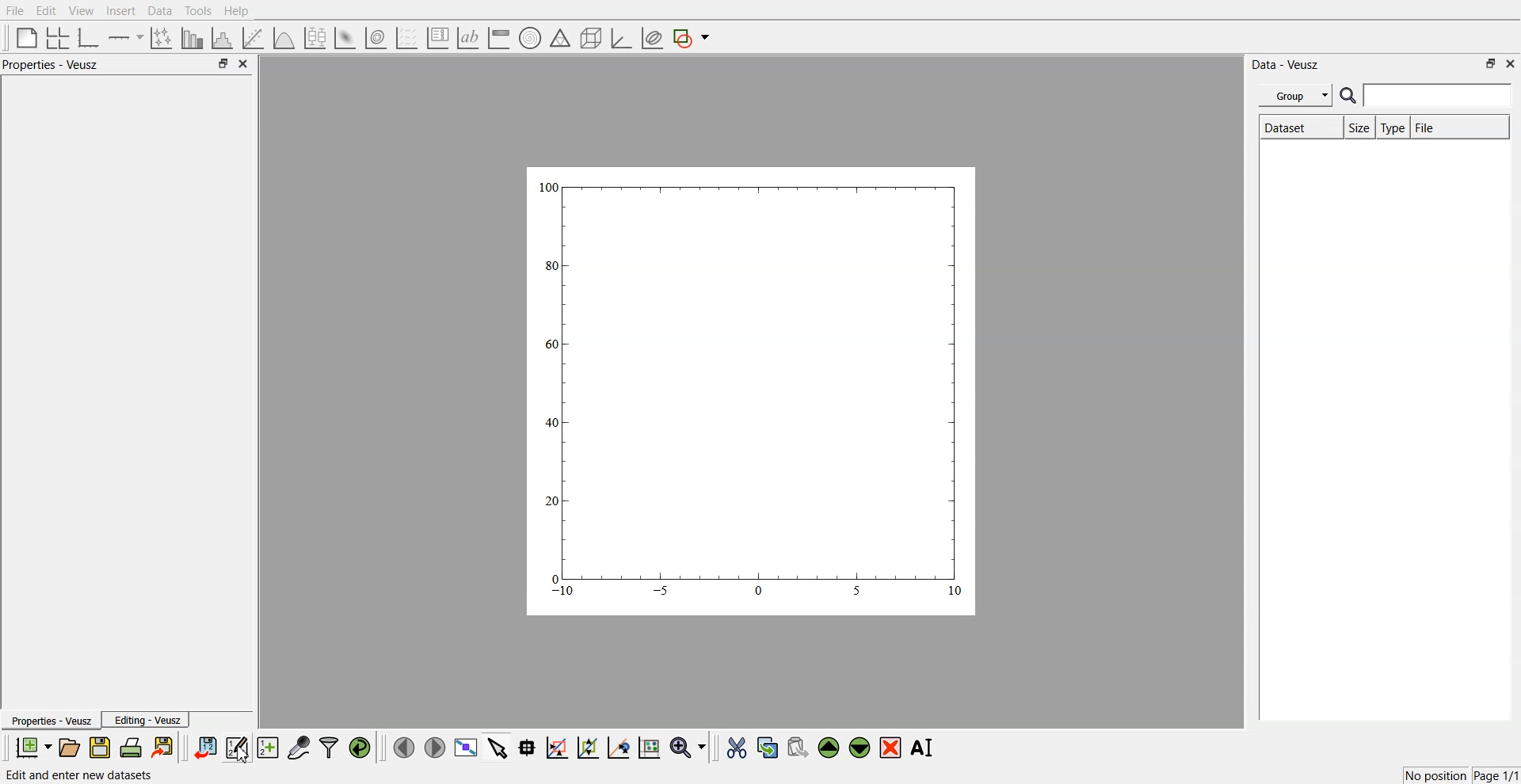 The height and width of the screenshot is (784, 1521). Describe the element at coordinates (147, 720) in the screenshot. I see `Editing - Veusz` at that location.